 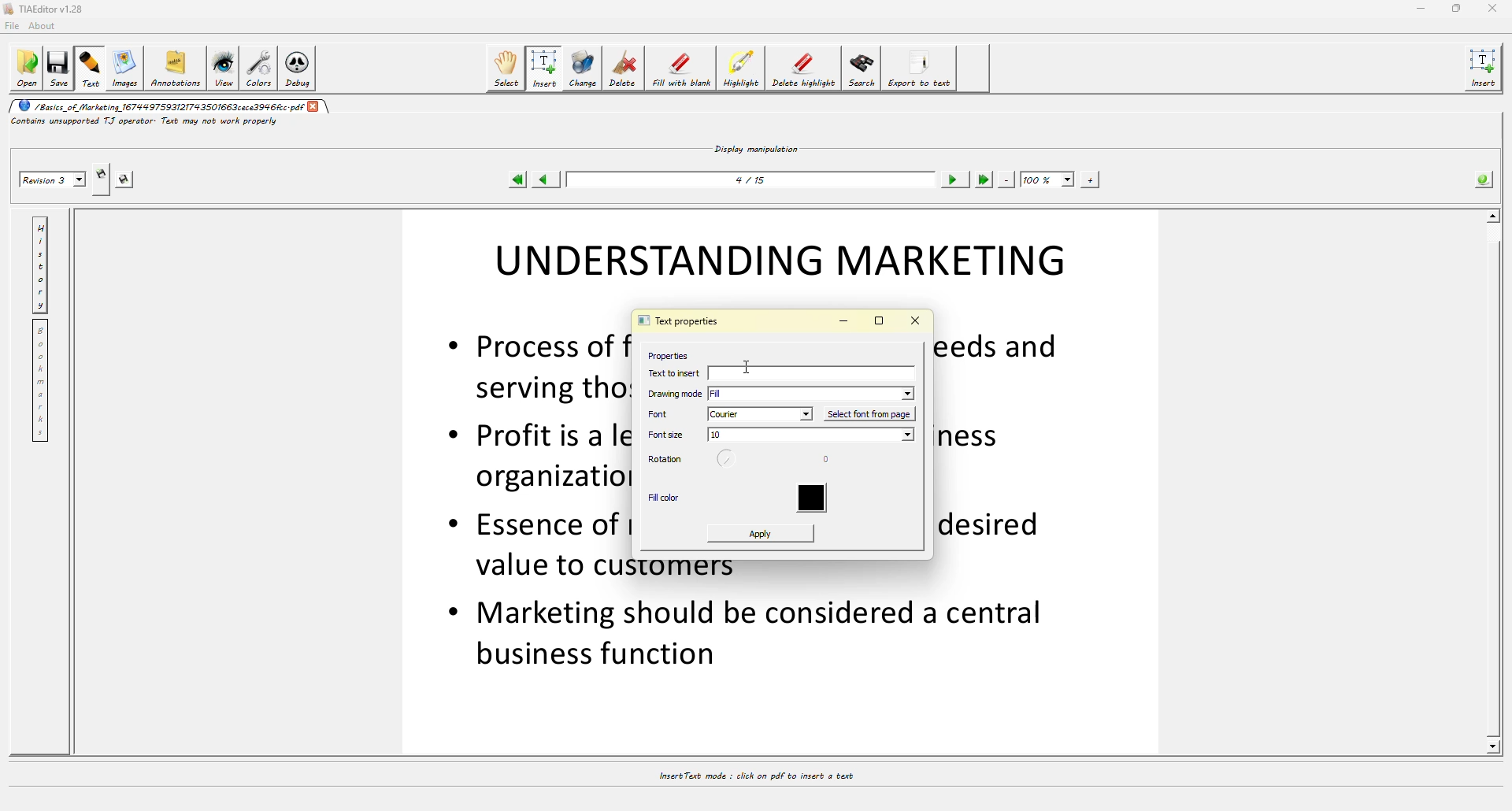 I want to click on debug, so click(x=299, y=67).